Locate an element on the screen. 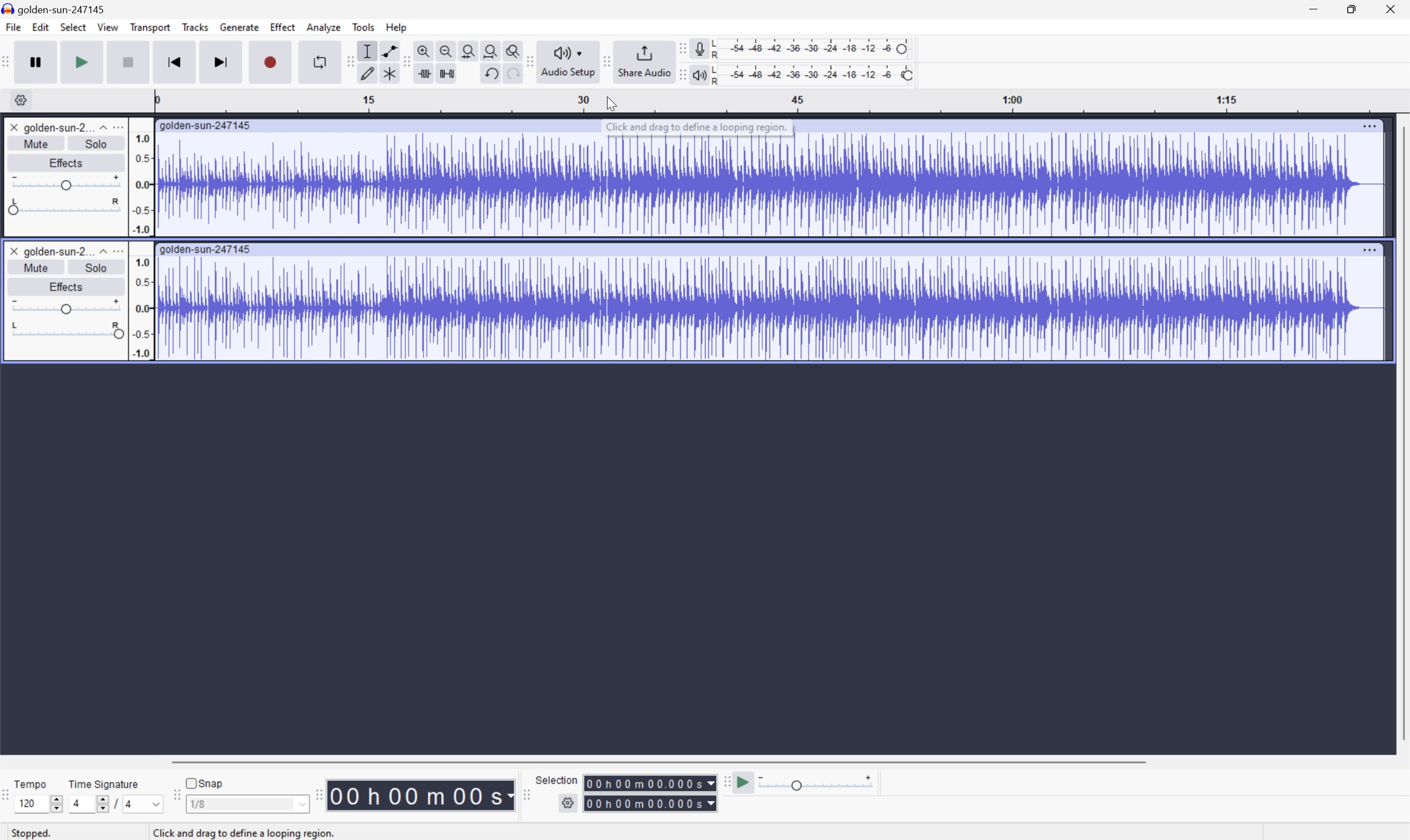 The width and height of the screenshot is (1410, 840). Drop Down is located at coordinates (101, 127).